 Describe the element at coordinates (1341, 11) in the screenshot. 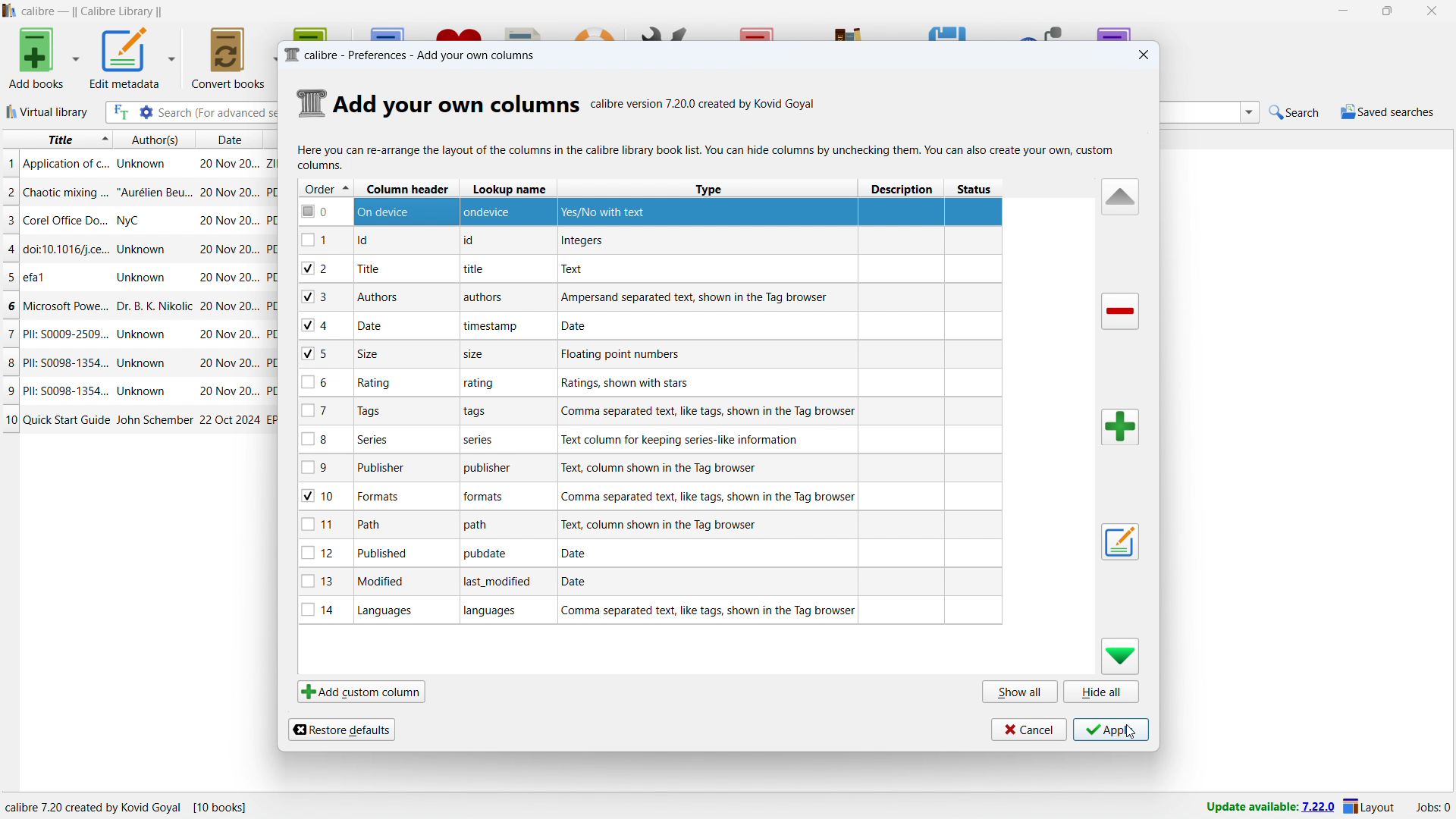

I see `minimize` at that location.